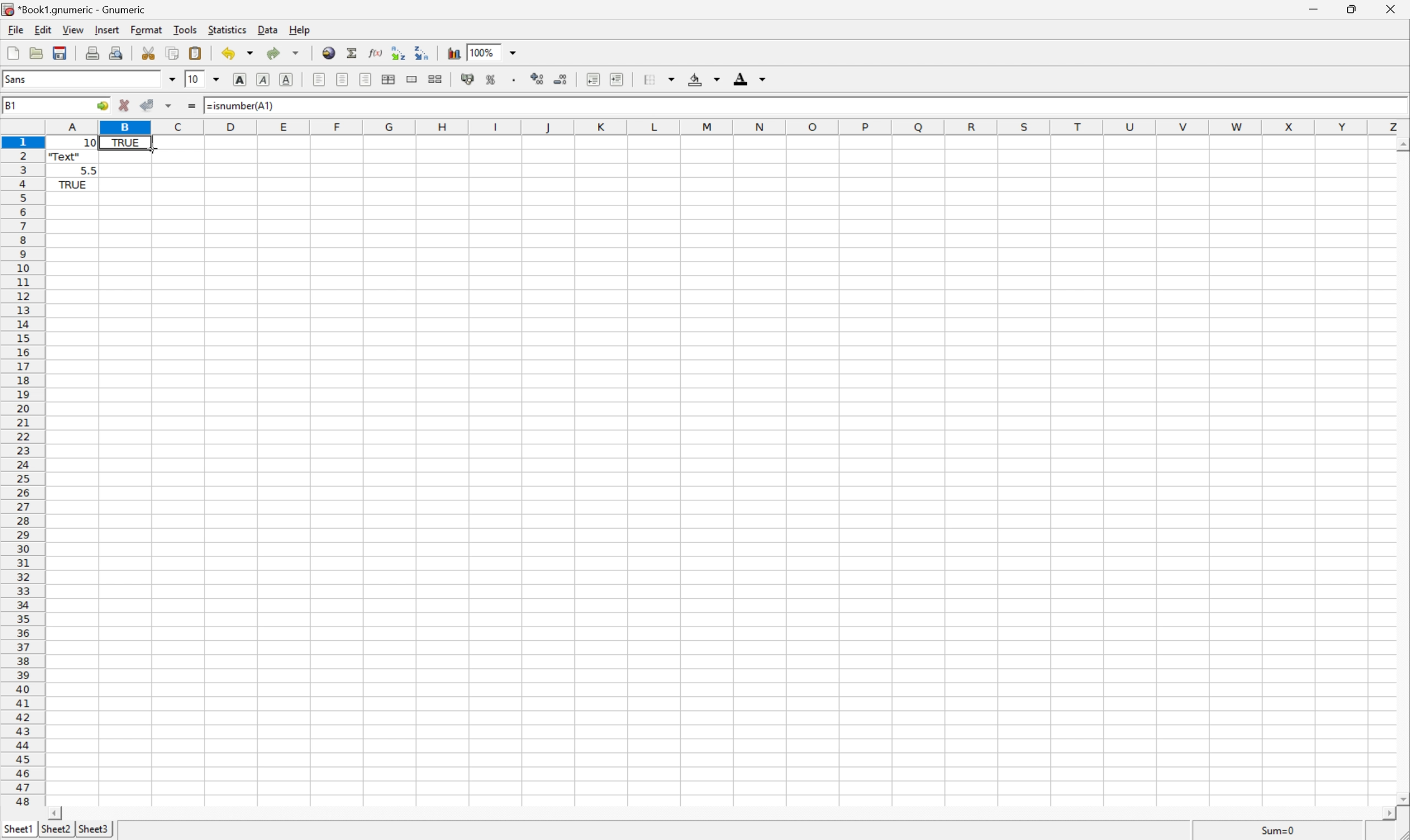 The width and height of the screenshot is (1410, 840). Describe the element at coordinates (14, 28) in the screenshot. I see `File` at that location.